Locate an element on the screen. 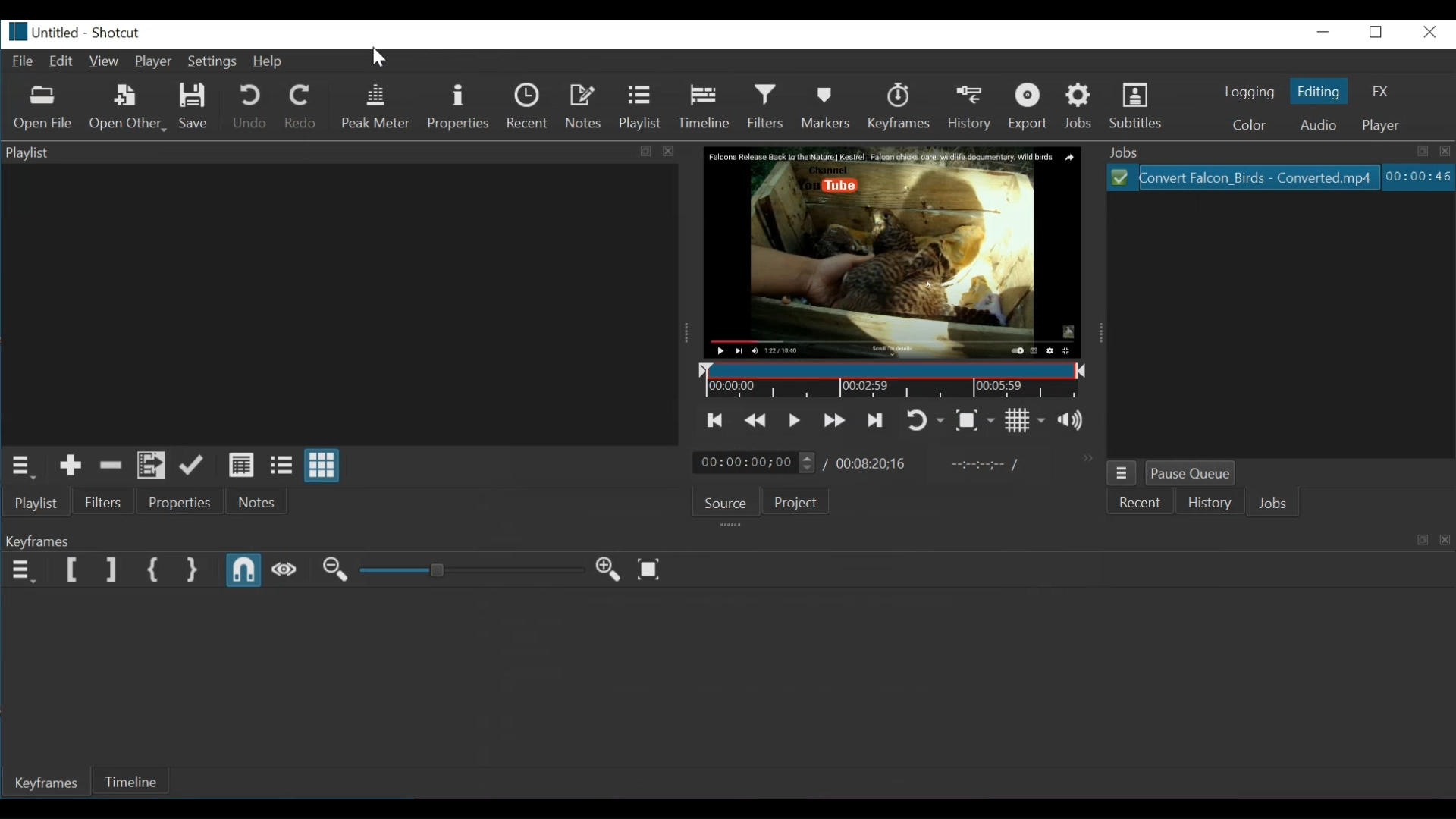  logging is located at coordinates (1250, 93).